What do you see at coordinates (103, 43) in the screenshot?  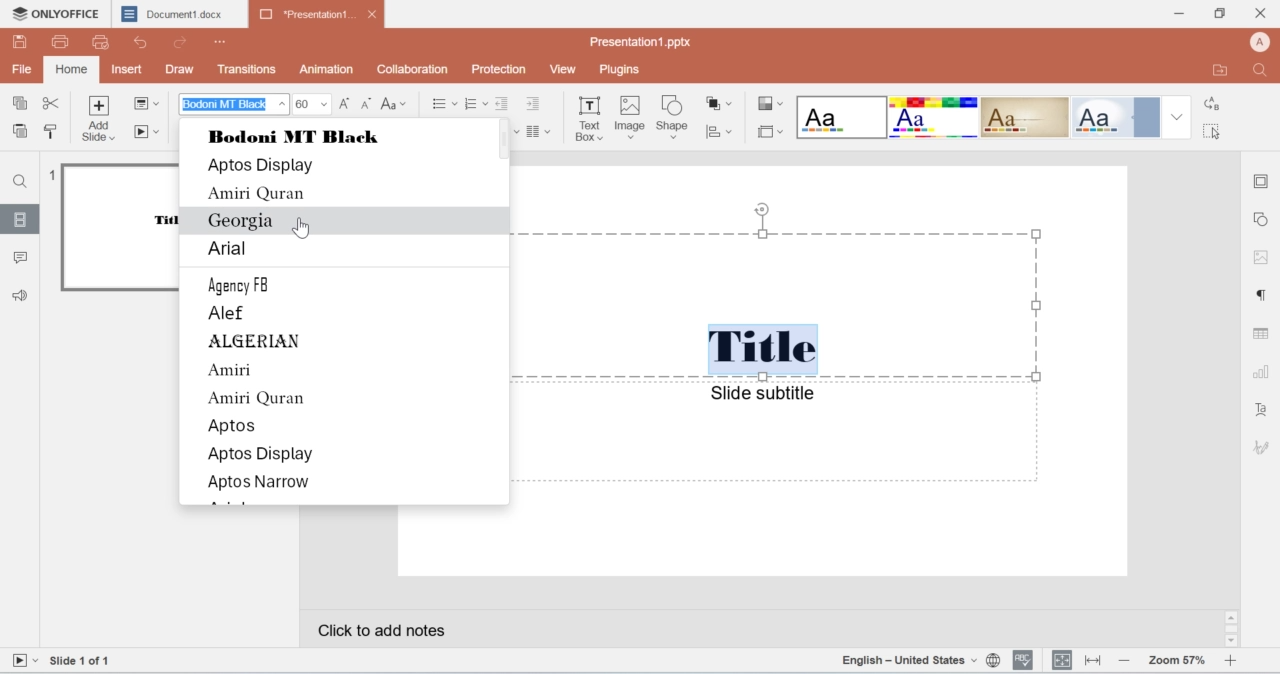 I see `preview` at bounding box center [103, 43].